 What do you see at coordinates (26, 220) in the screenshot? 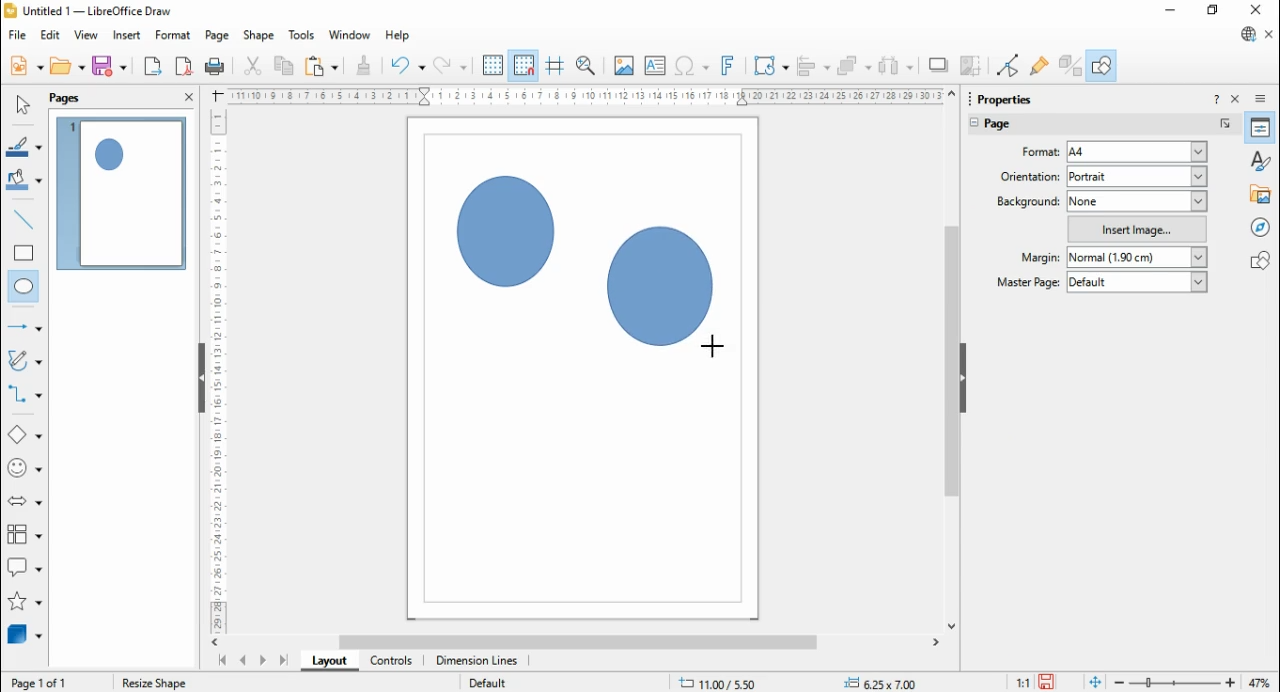
I see `insert line` at bounding box center [26, 220].